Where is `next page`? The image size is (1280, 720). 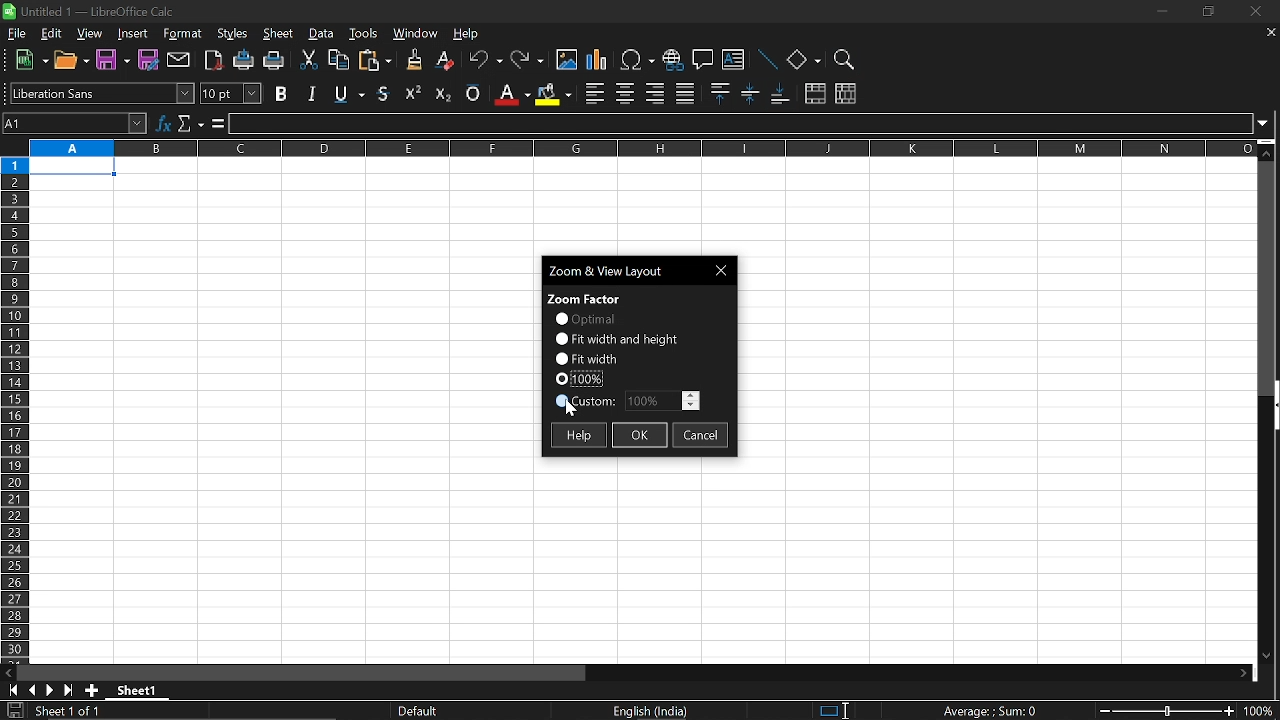 next page is located at coordinates (50, 691).